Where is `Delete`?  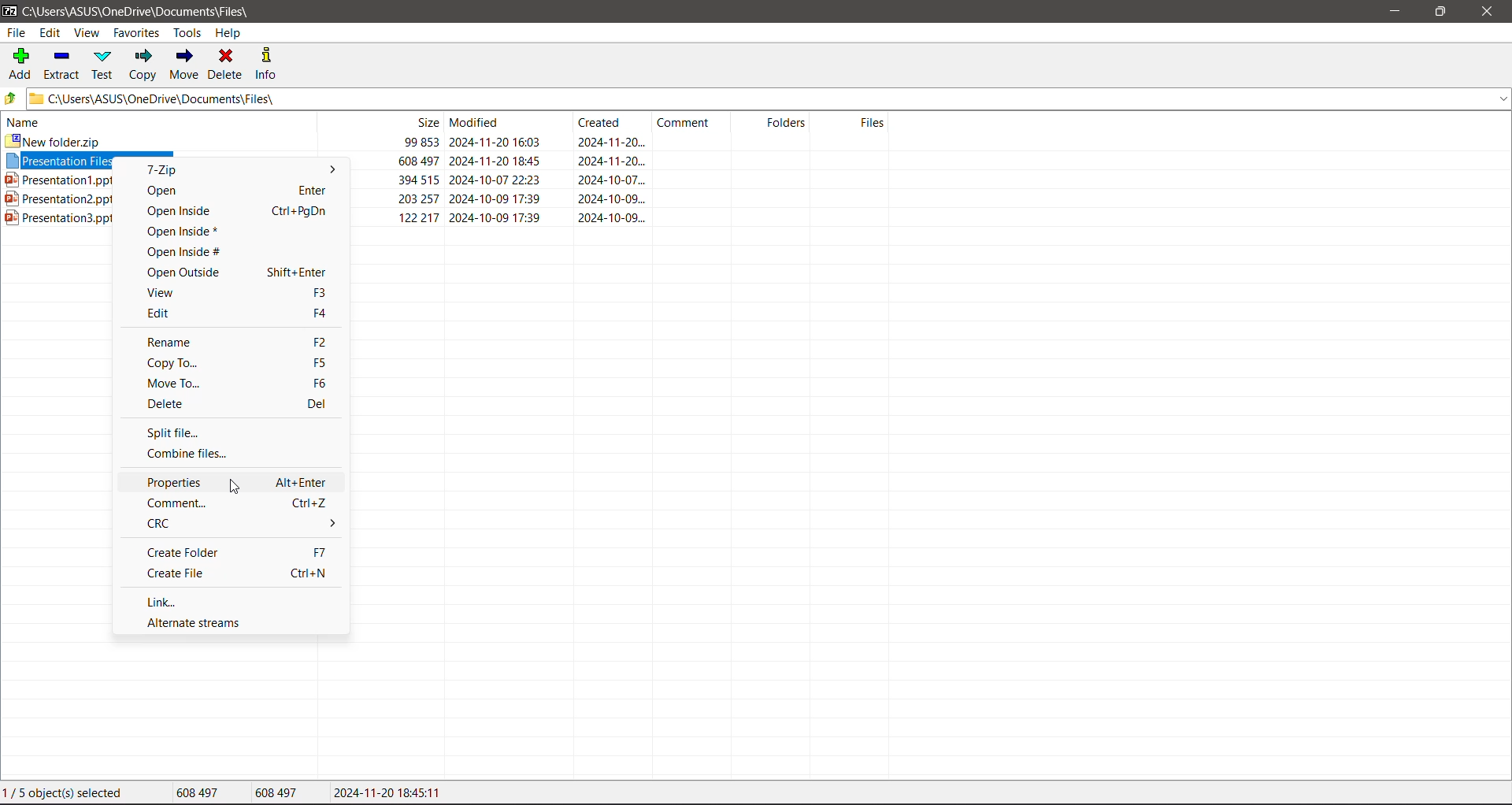
Delete is located at coordinates (233, 404).